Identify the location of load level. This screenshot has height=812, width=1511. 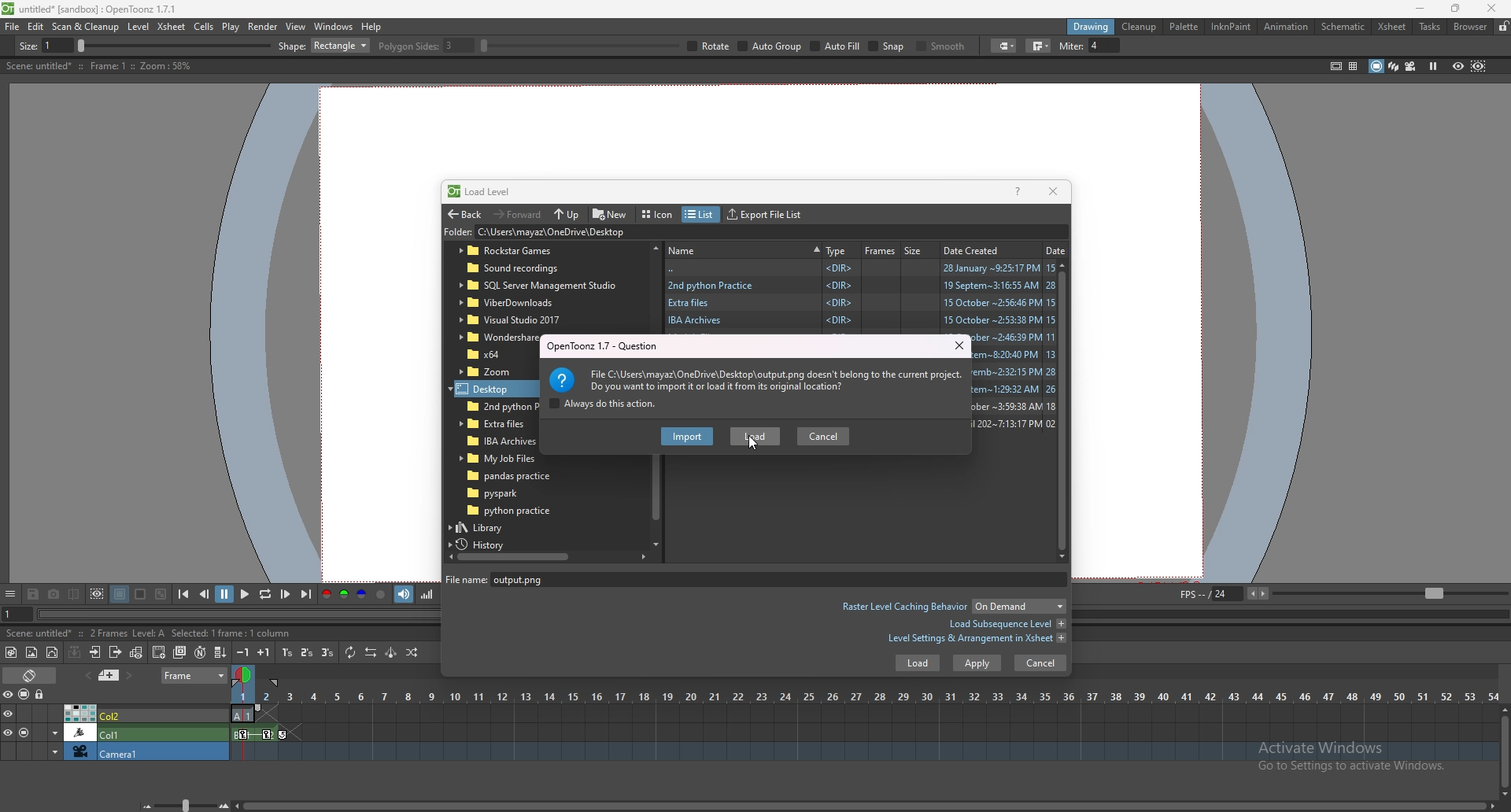
(486, 191).